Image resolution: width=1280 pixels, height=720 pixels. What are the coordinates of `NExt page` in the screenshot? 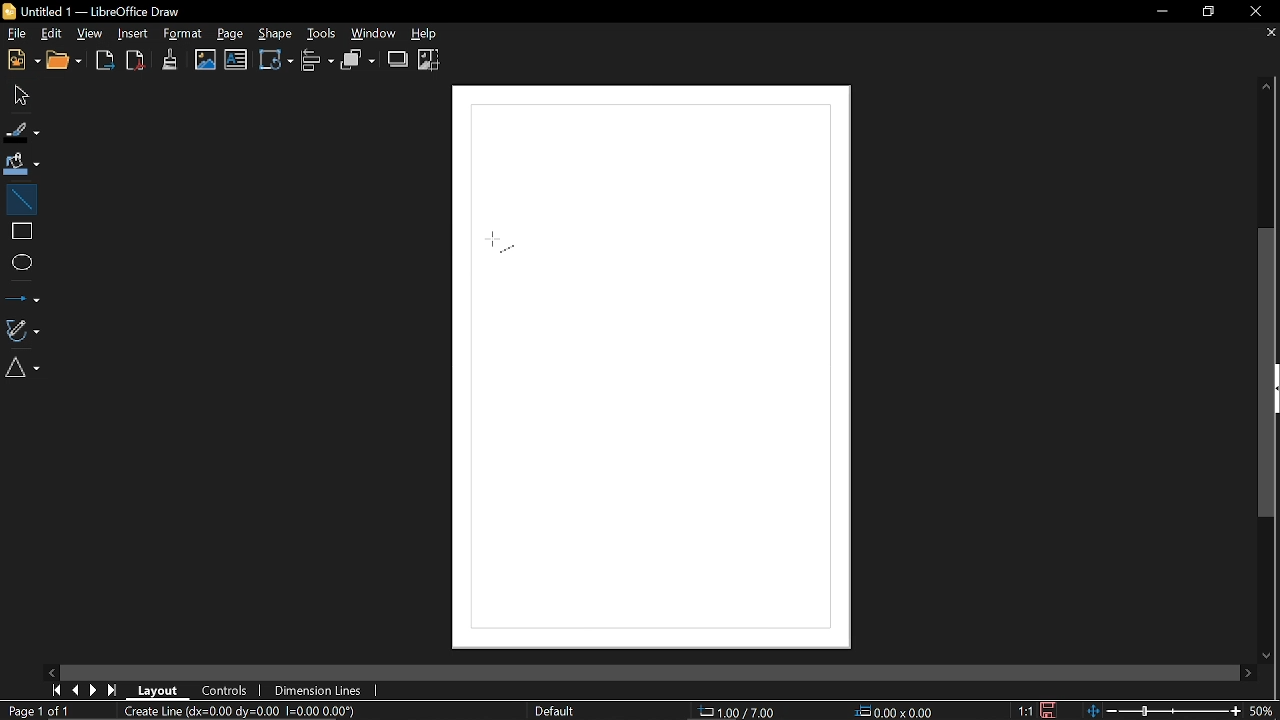 It's located at (95, 690).